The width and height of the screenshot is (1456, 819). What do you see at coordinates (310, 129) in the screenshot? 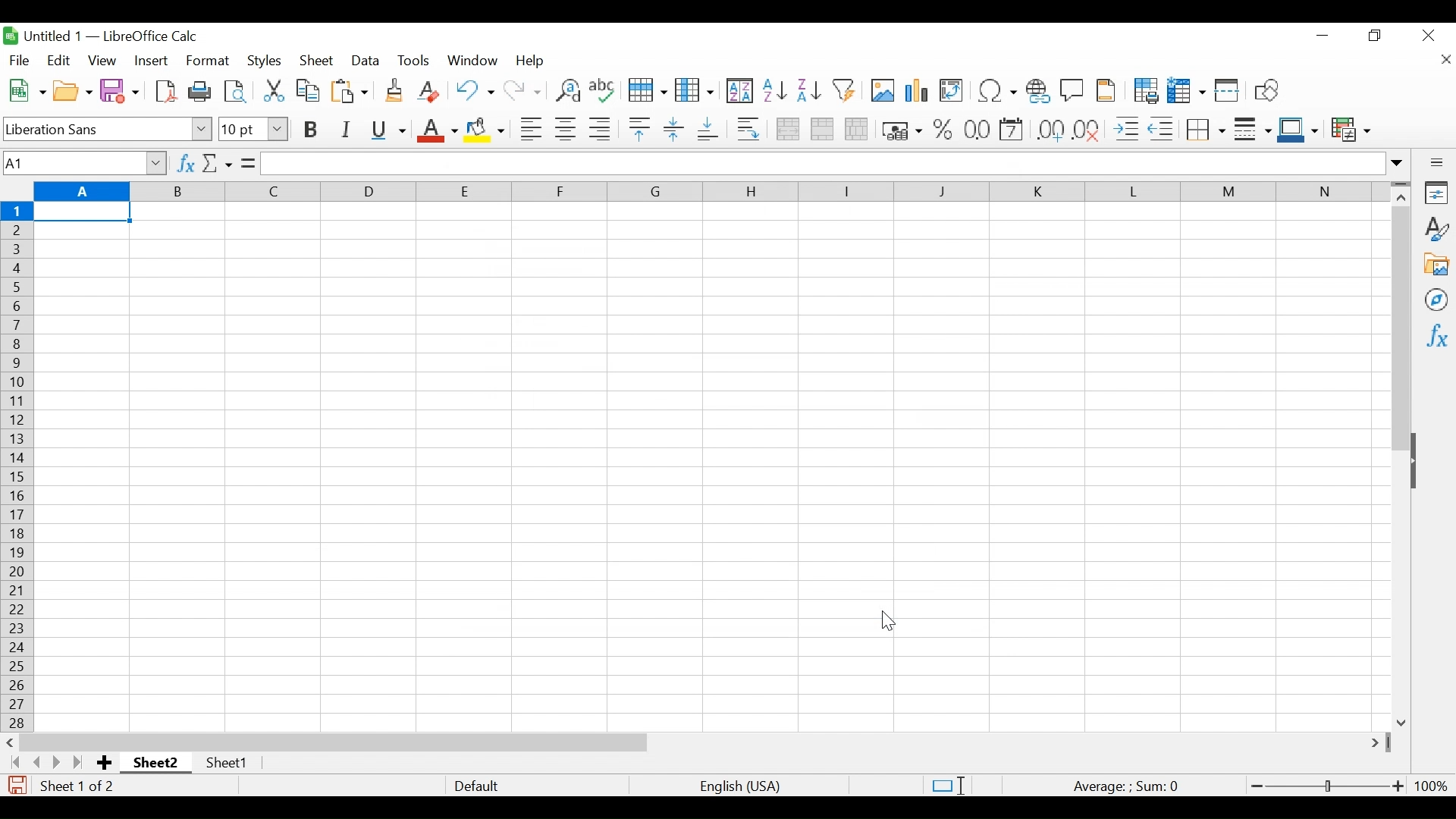
I see `Bold` at bounding box center [310, 129].